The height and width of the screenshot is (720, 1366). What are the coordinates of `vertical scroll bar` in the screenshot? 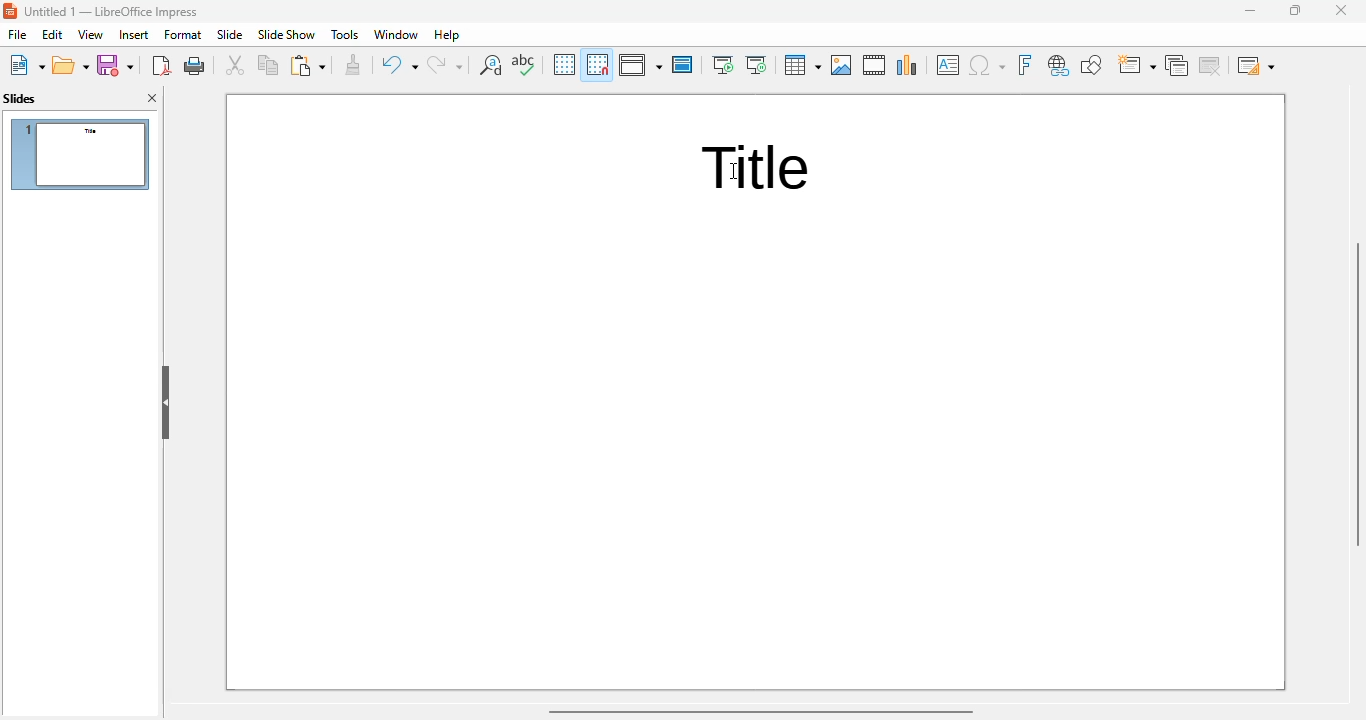 It's located at (1357, 390).